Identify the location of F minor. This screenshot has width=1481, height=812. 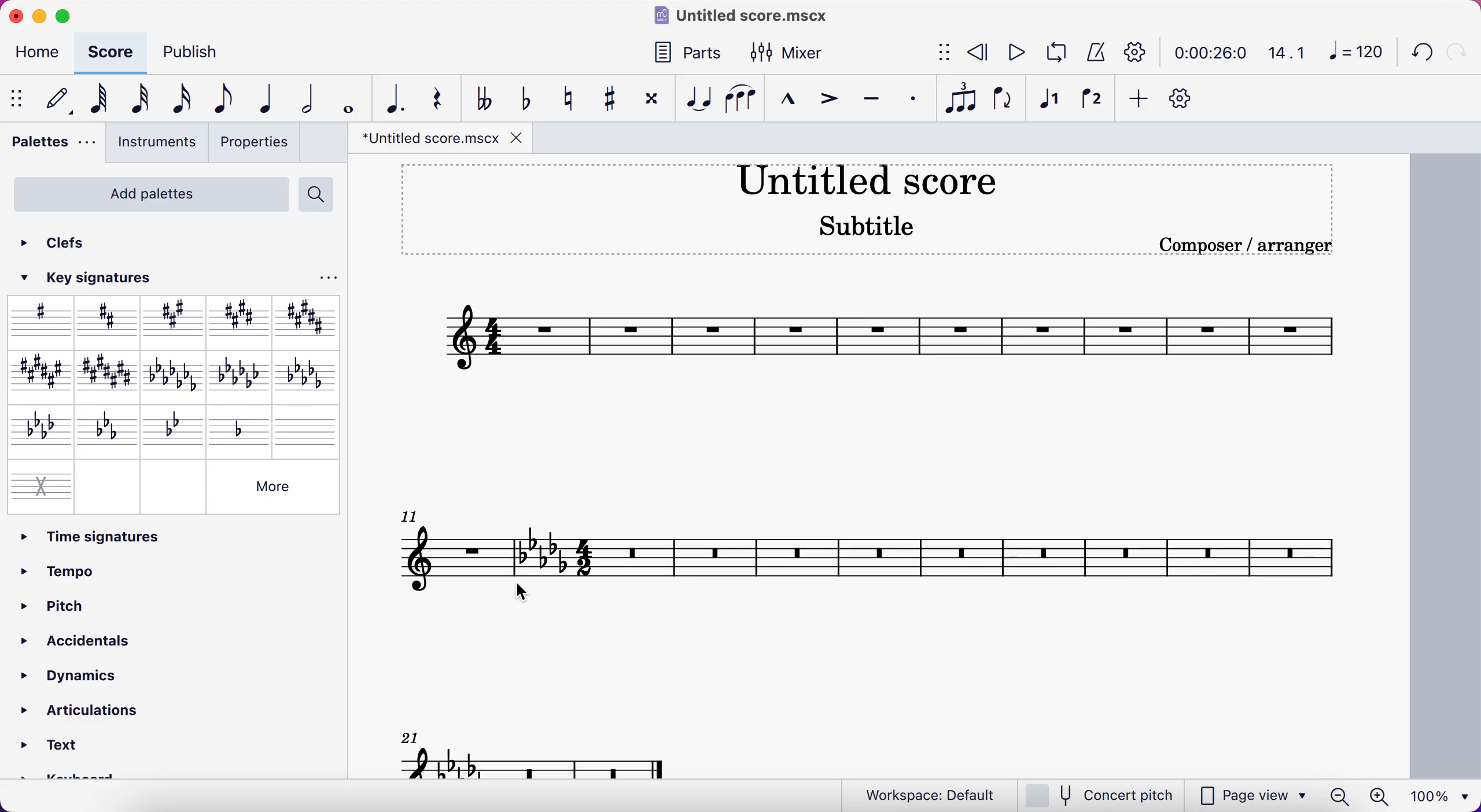
(36, 430).